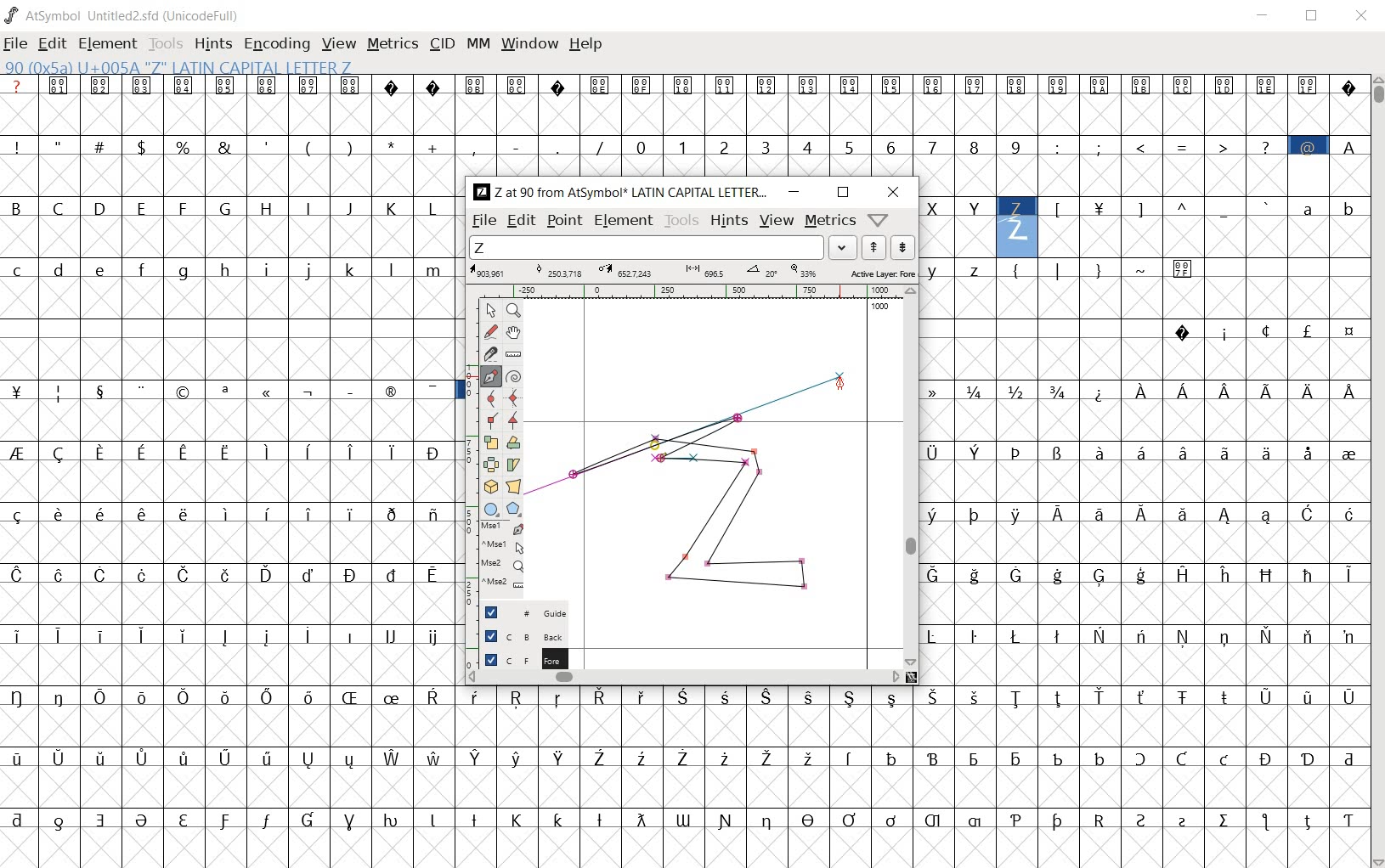 This screenshot has height=868, width=1385. What do you see at coordinates (619, 193) in the screenshot?
I see `Z at 90 from AtSymbol* LATIN CAPITAL LETTER...` at bounding box center [619, 193].